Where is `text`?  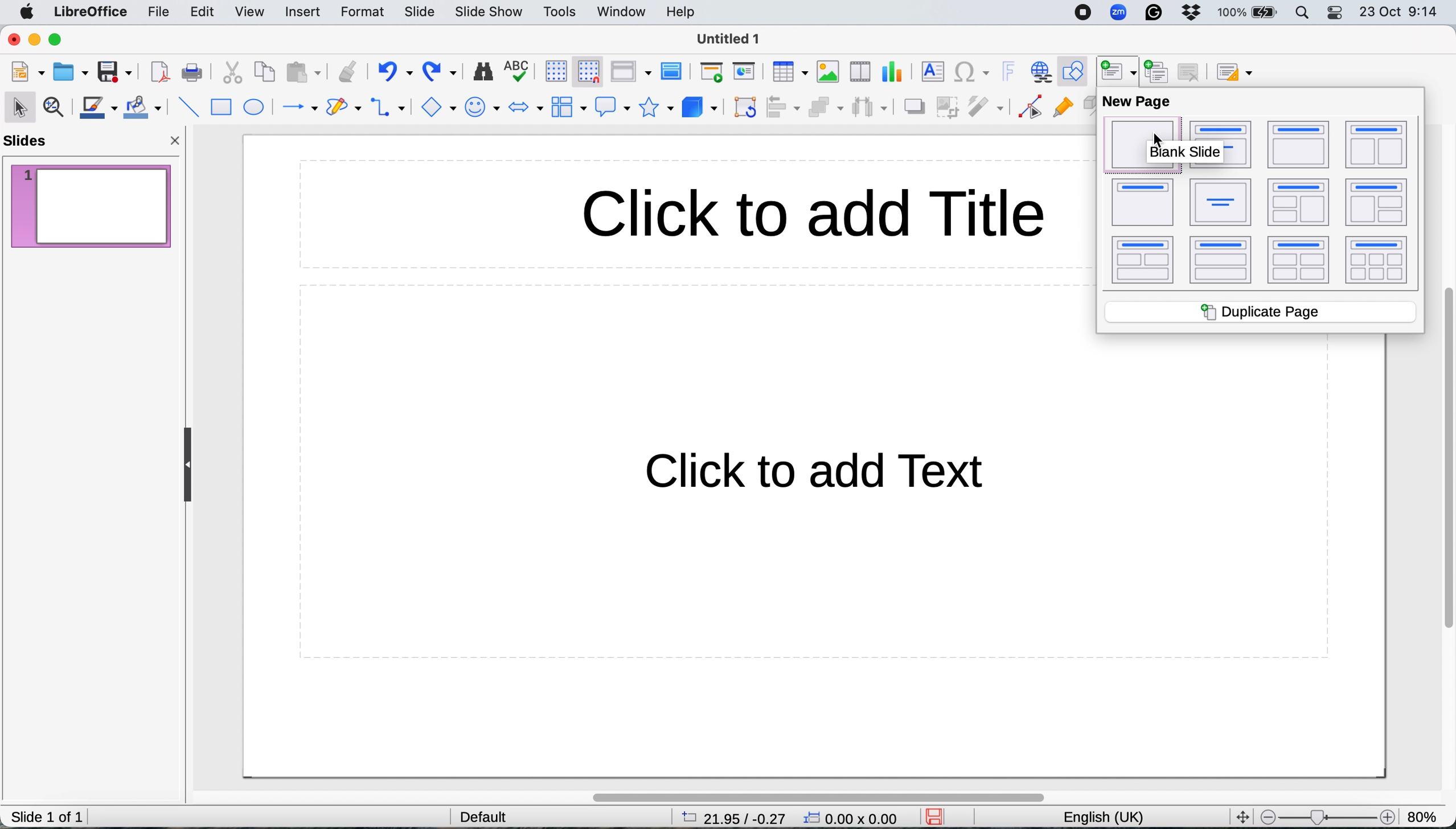 text is located at coordinates (838, 473).